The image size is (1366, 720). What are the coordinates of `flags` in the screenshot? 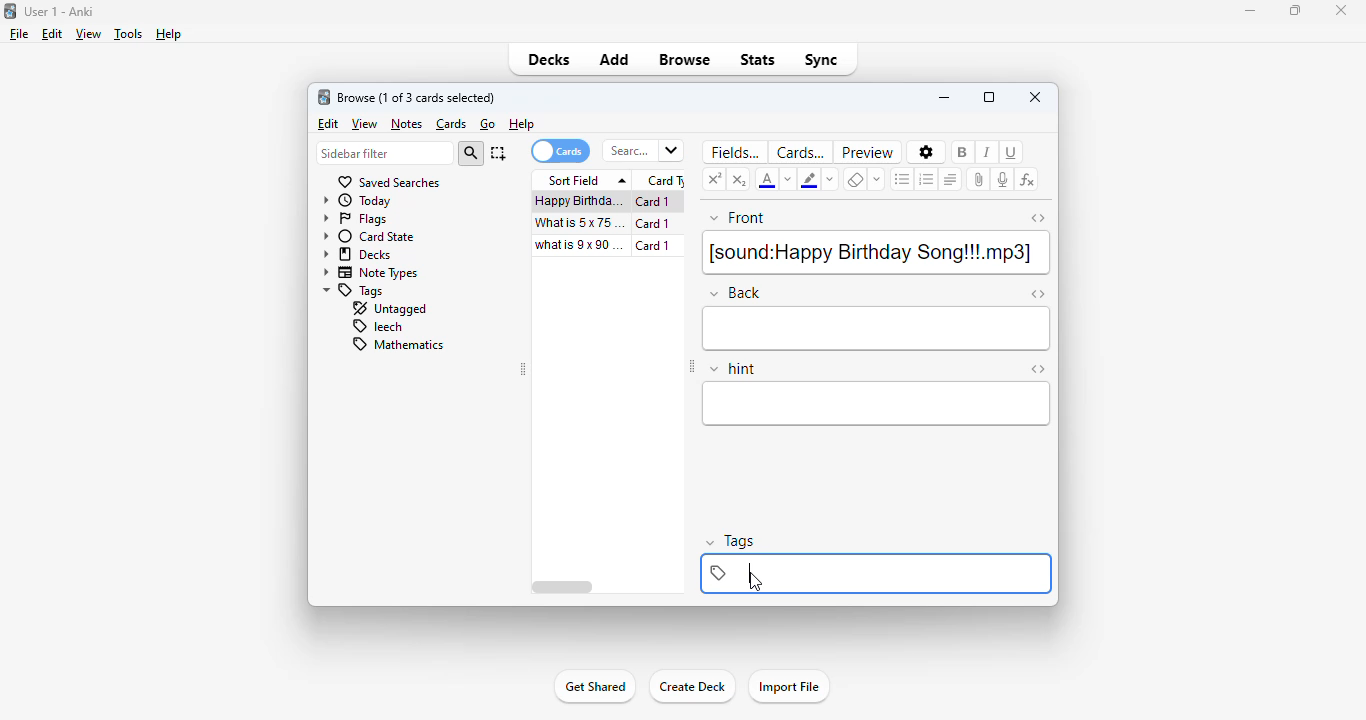 It's located at (355, 220).